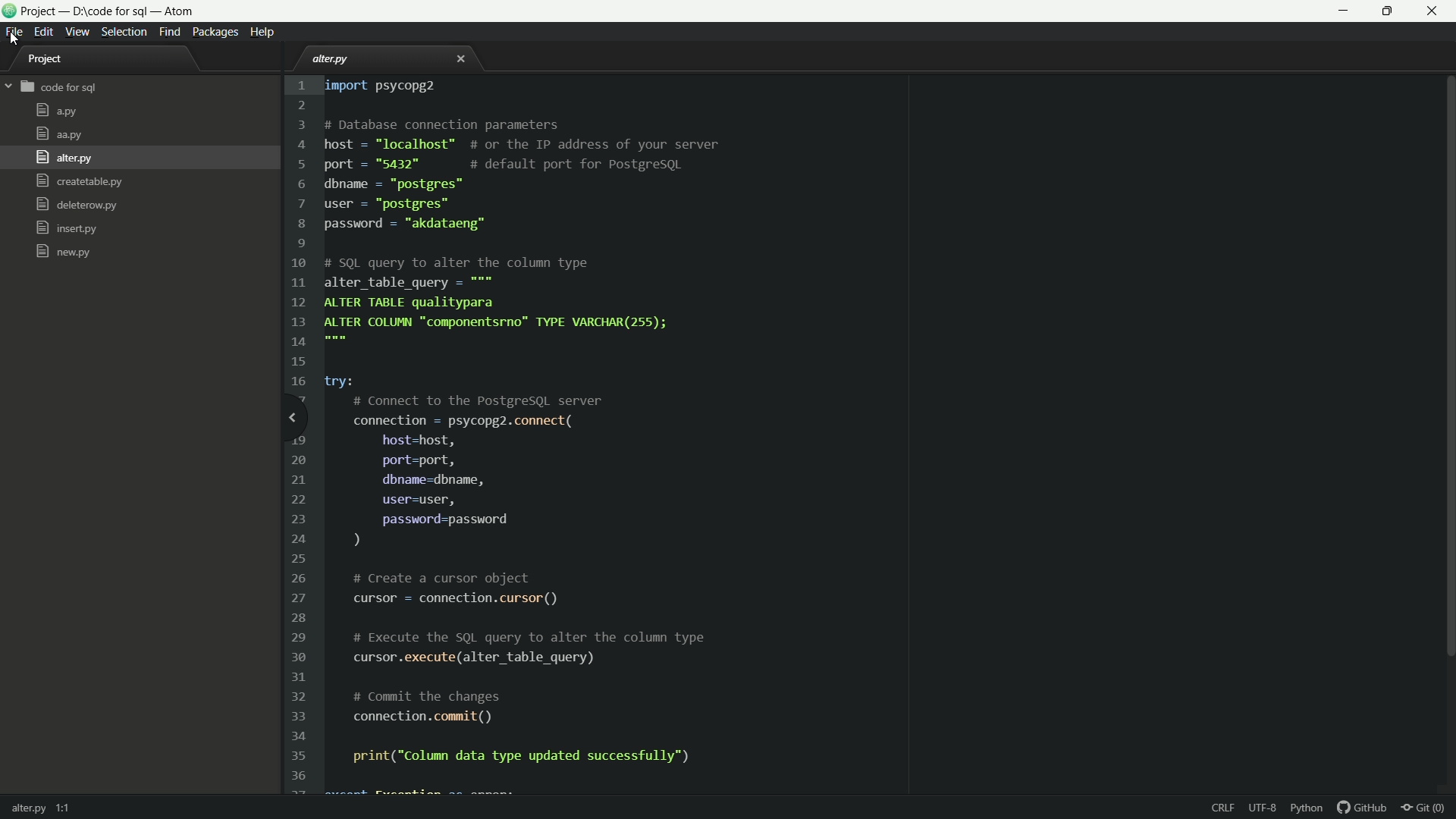 This screenshot has width=1456, height=819. What do you see at coordinates (58, 134) in the screenshot?
I see `aa.py file` at bounding box center [58, 134].